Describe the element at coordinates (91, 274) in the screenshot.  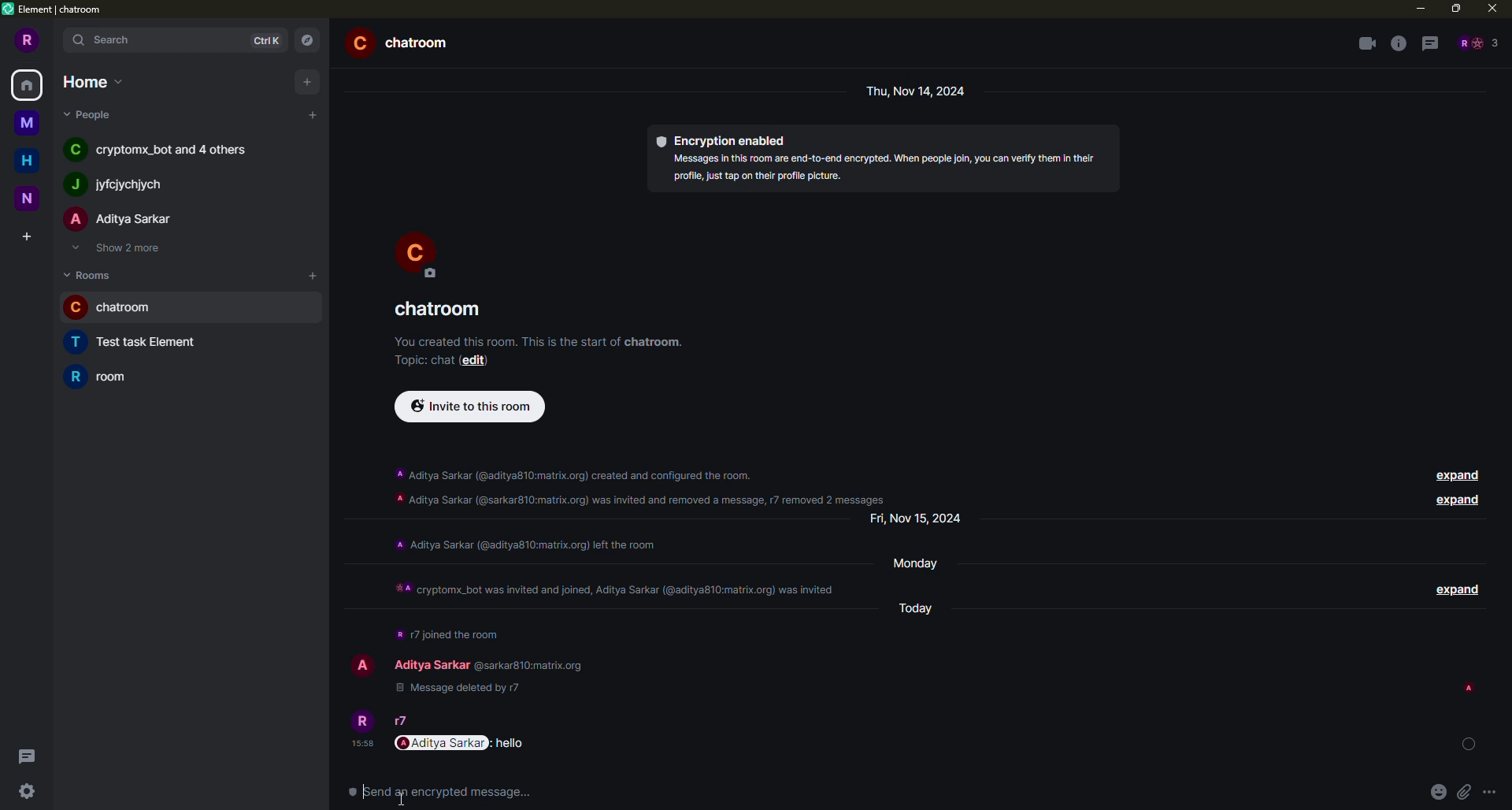
I see `rooms` at that location.